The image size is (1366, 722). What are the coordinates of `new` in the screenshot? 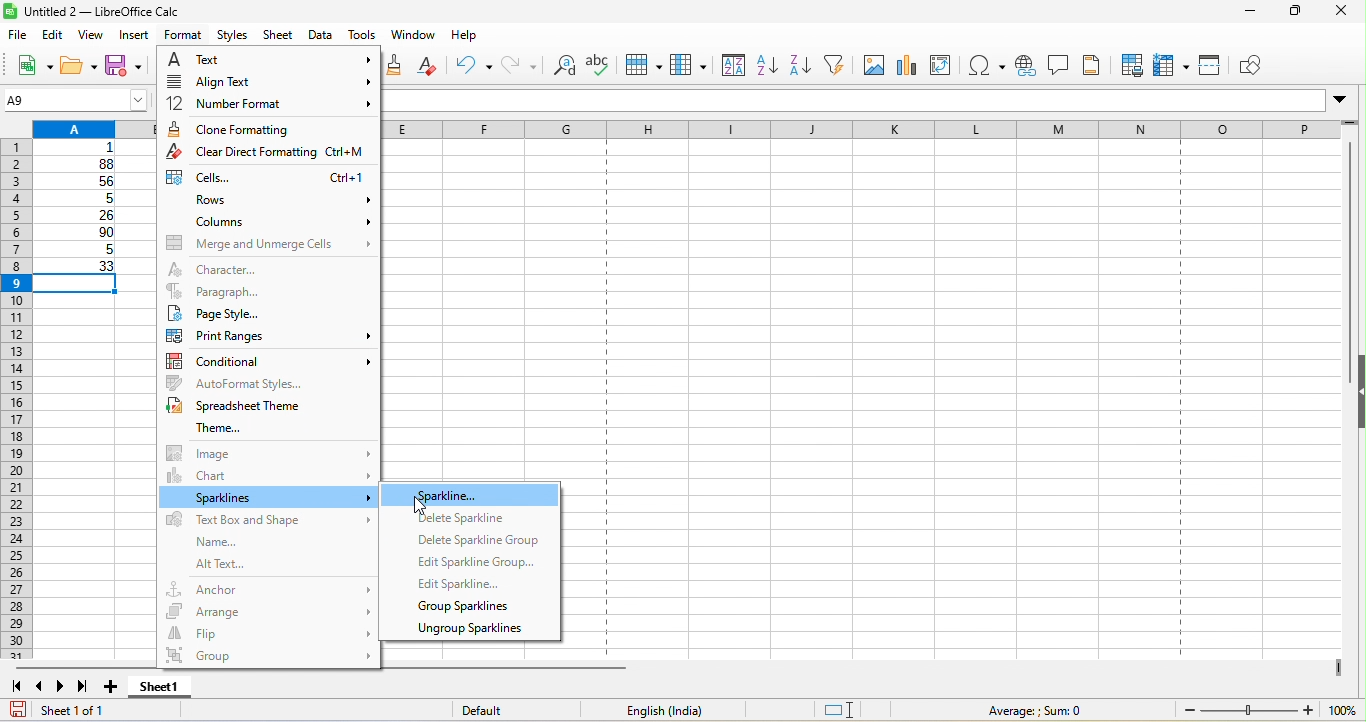 It's located at (28, 64).